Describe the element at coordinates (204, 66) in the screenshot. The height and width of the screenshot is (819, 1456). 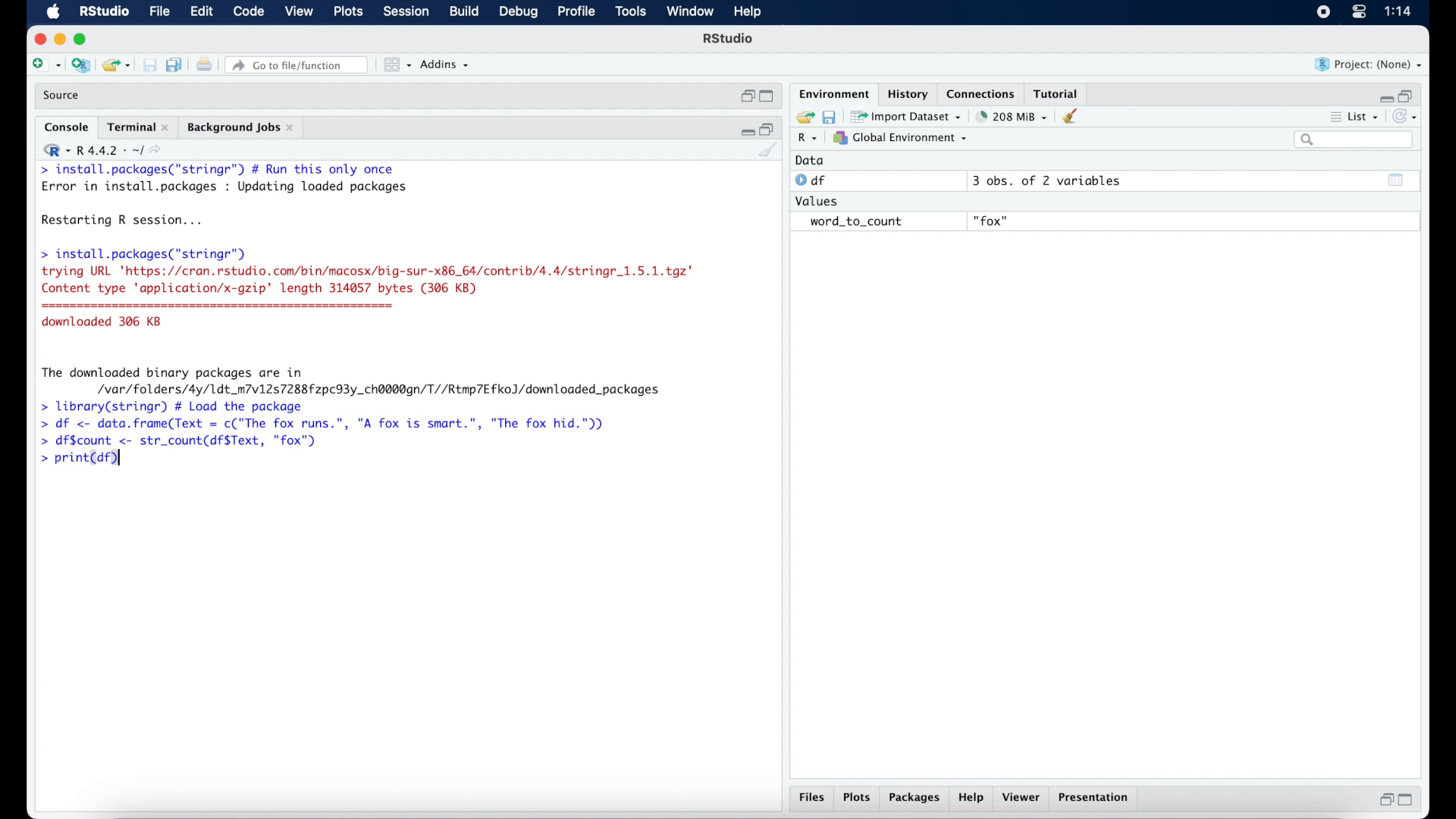
I see `print` at that location.